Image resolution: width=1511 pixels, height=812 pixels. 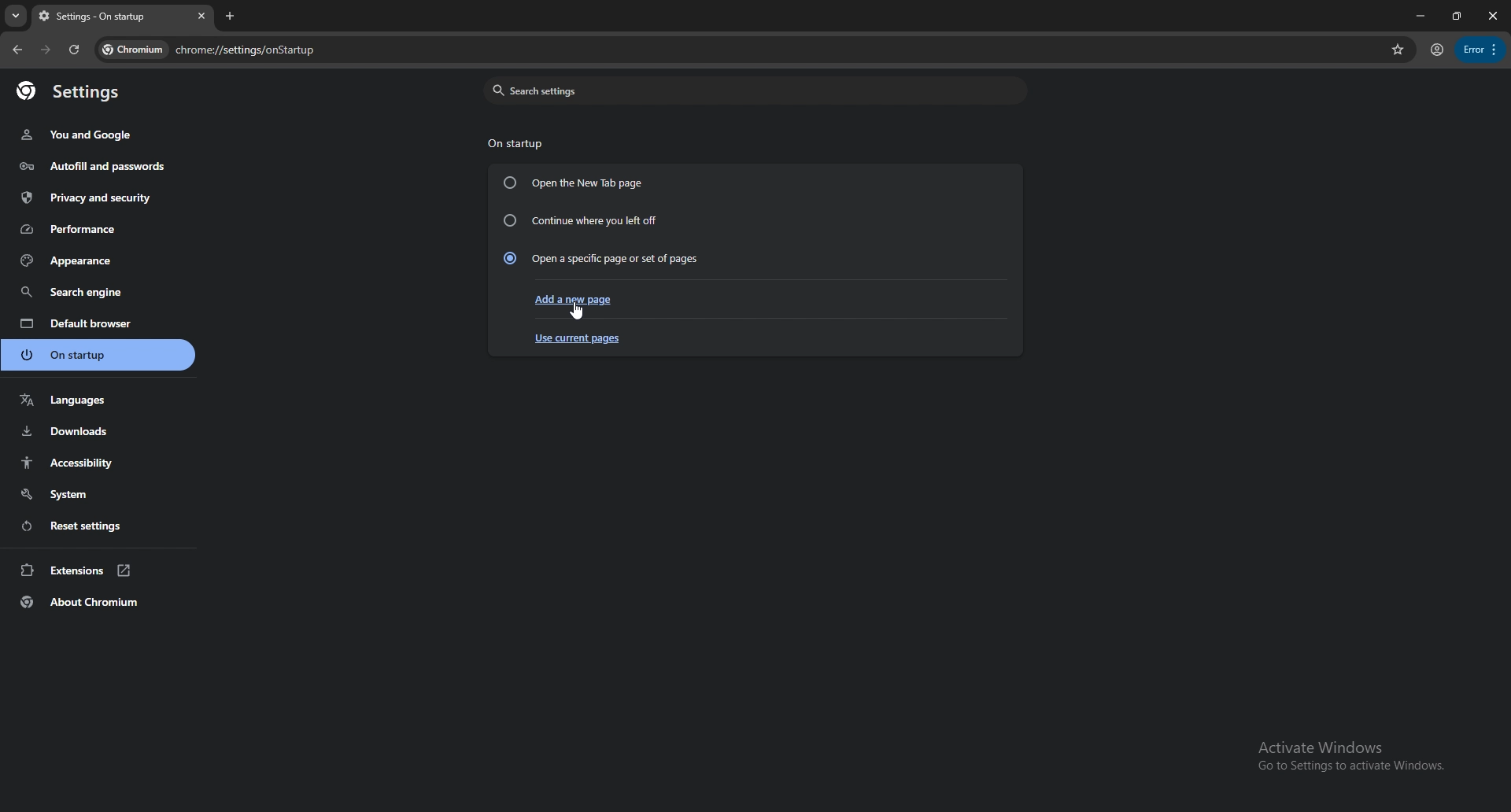 What do you see at coordinates (98, 291) in the screenshot?
I see `search engine` at bounding box center [98, 291].